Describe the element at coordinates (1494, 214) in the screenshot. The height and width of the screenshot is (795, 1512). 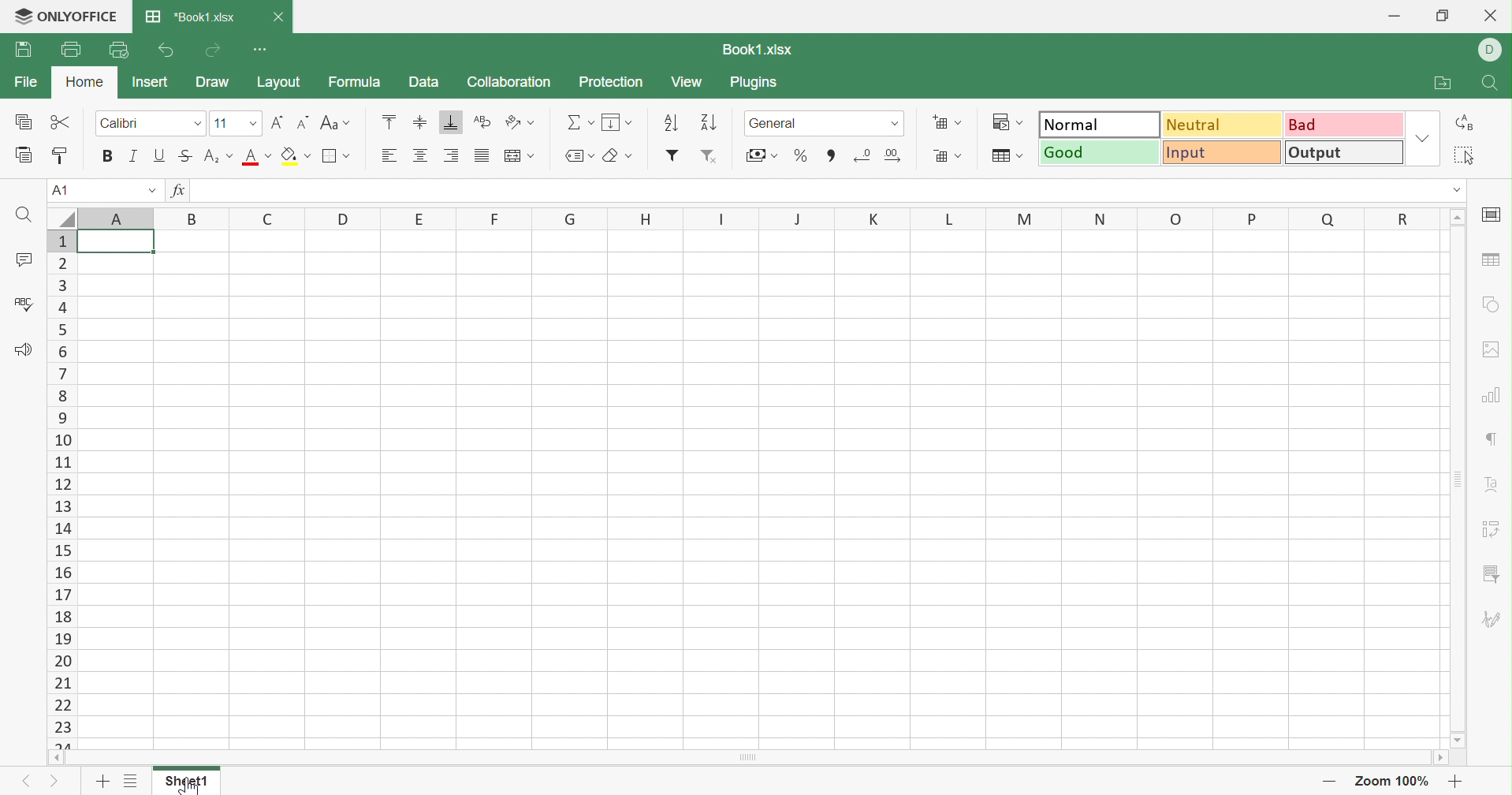
I see `Slide settings` at that location.